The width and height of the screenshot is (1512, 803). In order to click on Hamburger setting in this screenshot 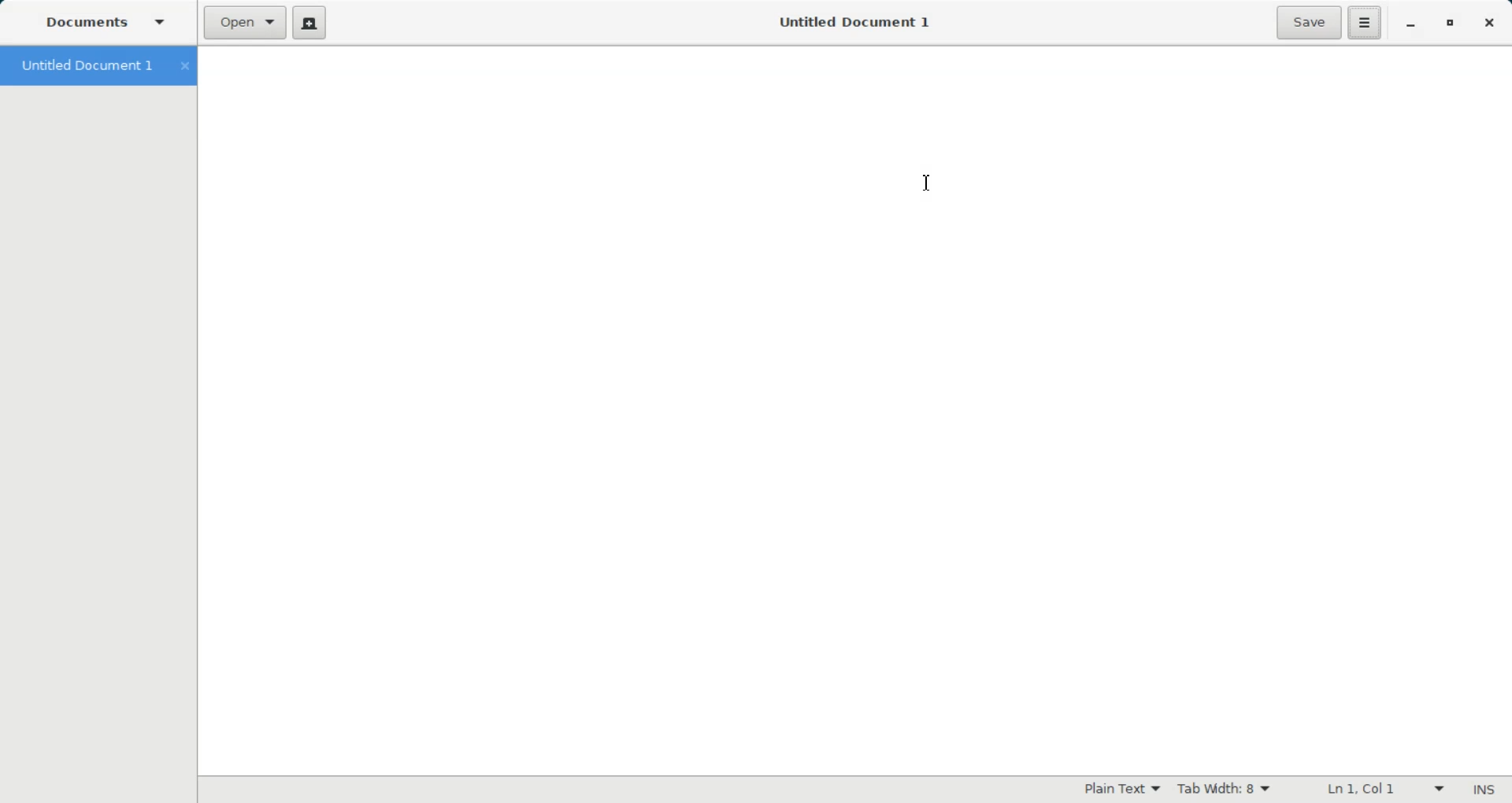, I will do `click(1366, 23)`.